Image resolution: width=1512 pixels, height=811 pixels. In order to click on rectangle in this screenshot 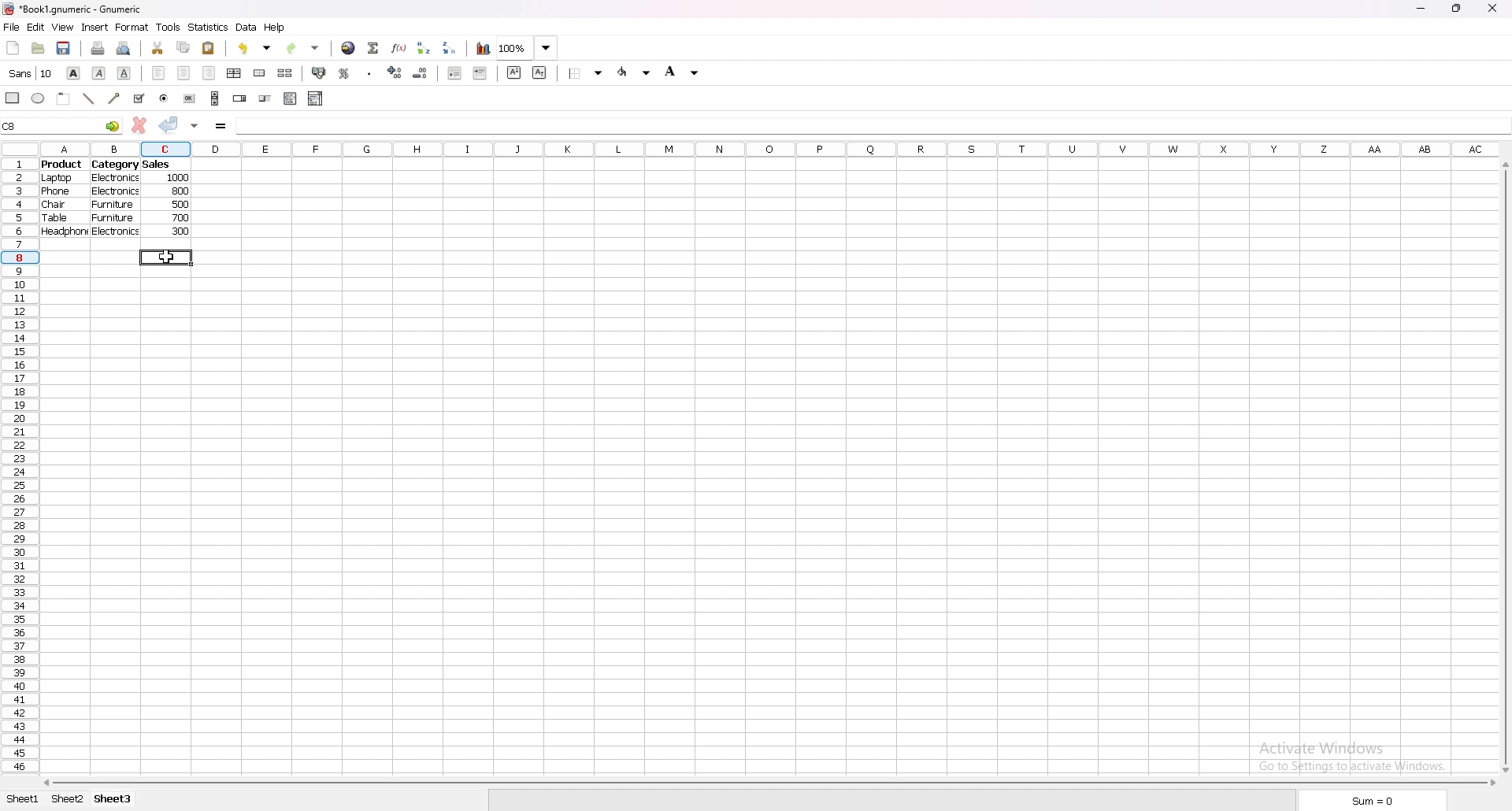, I will do `click(13, 98)`.